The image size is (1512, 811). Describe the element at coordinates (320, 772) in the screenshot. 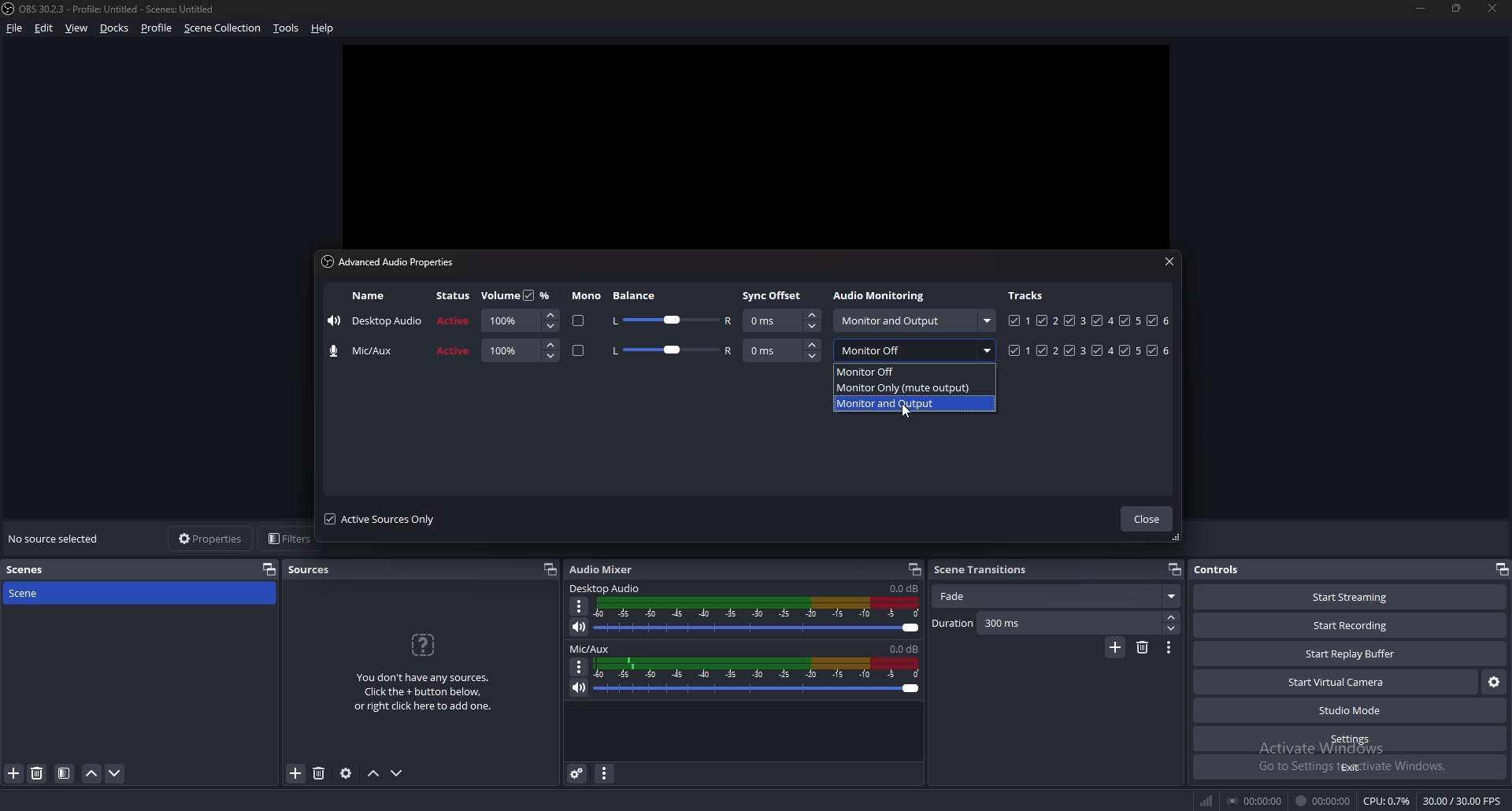

I see `remove source` at that location.